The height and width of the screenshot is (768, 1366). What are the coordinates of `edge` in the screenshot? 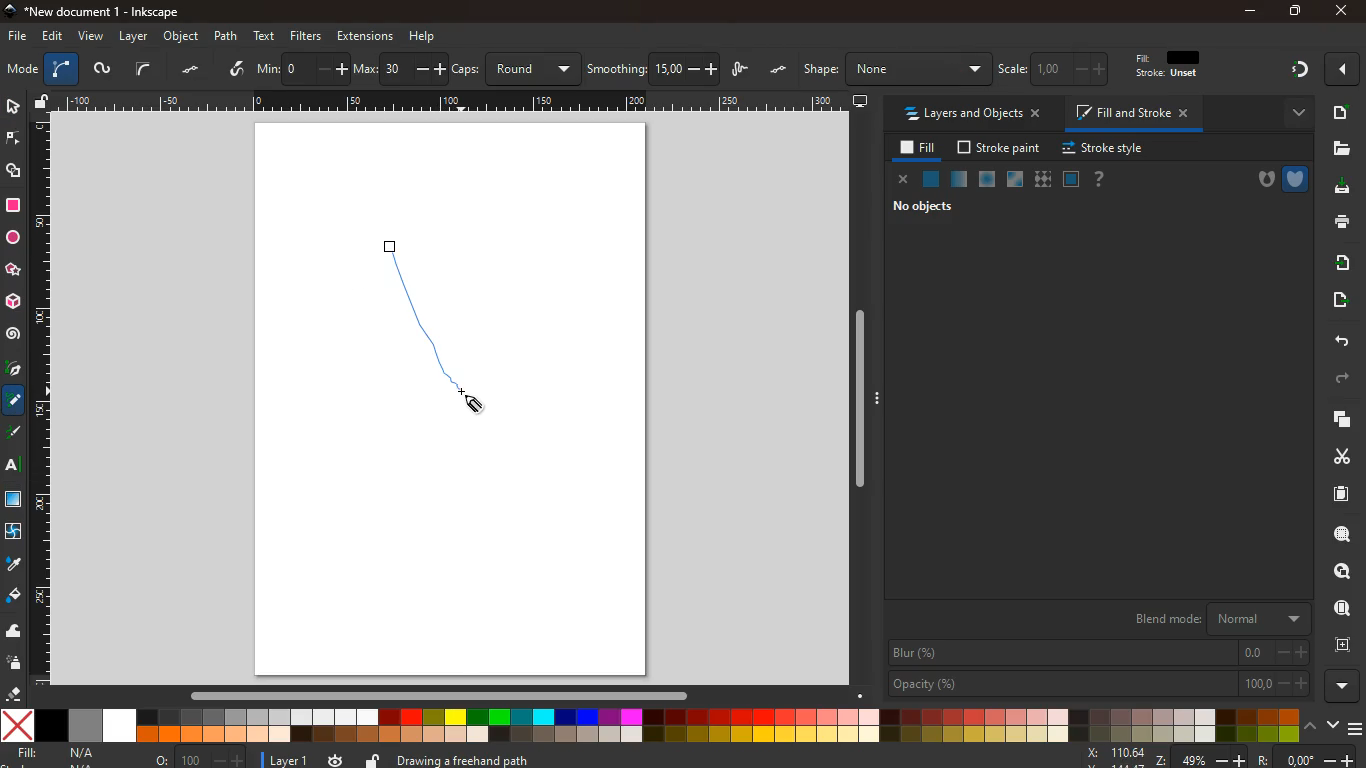 It's located at (14, 142).